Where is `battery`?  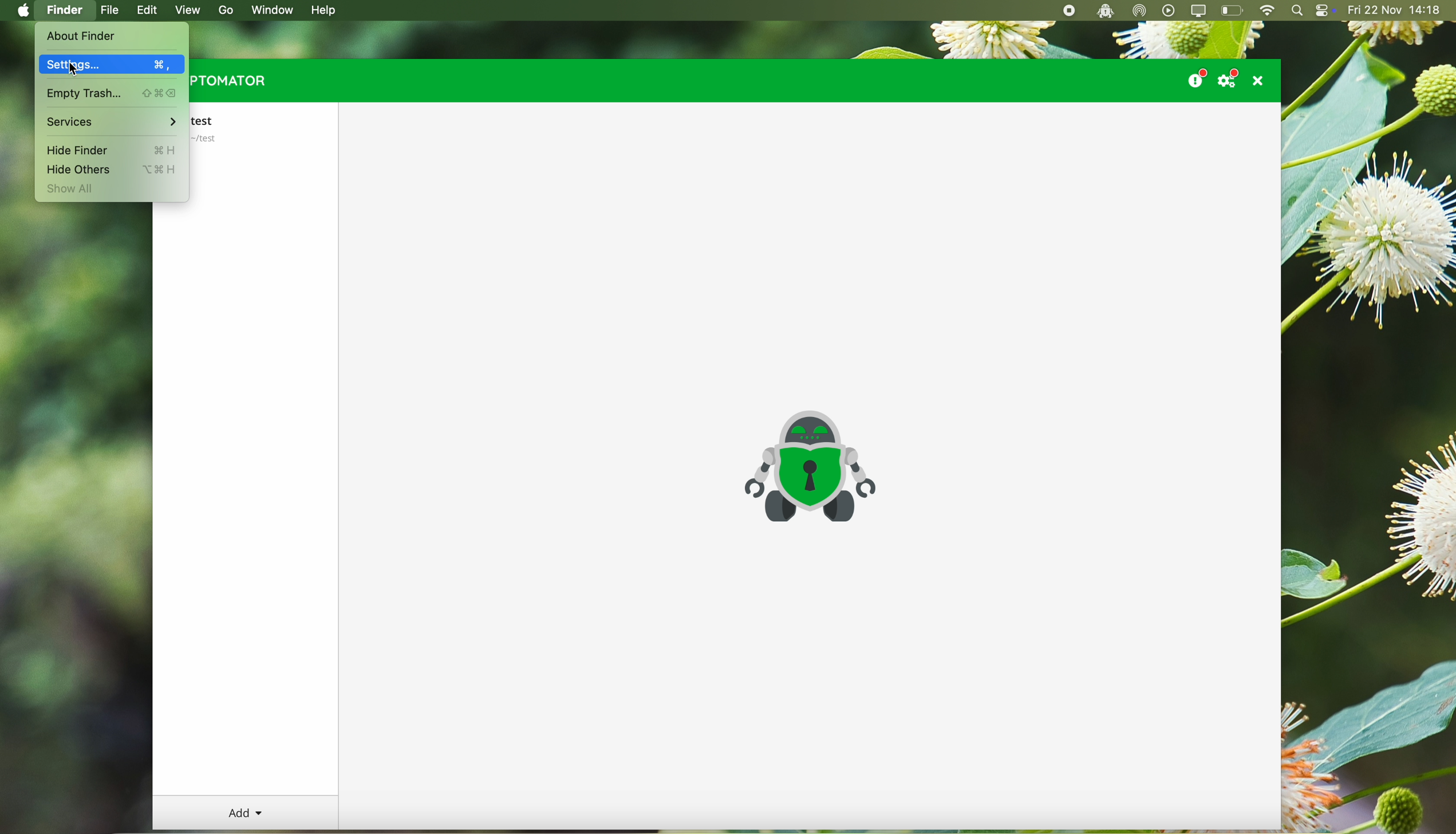 battery is located at coordinates (1233, 11).